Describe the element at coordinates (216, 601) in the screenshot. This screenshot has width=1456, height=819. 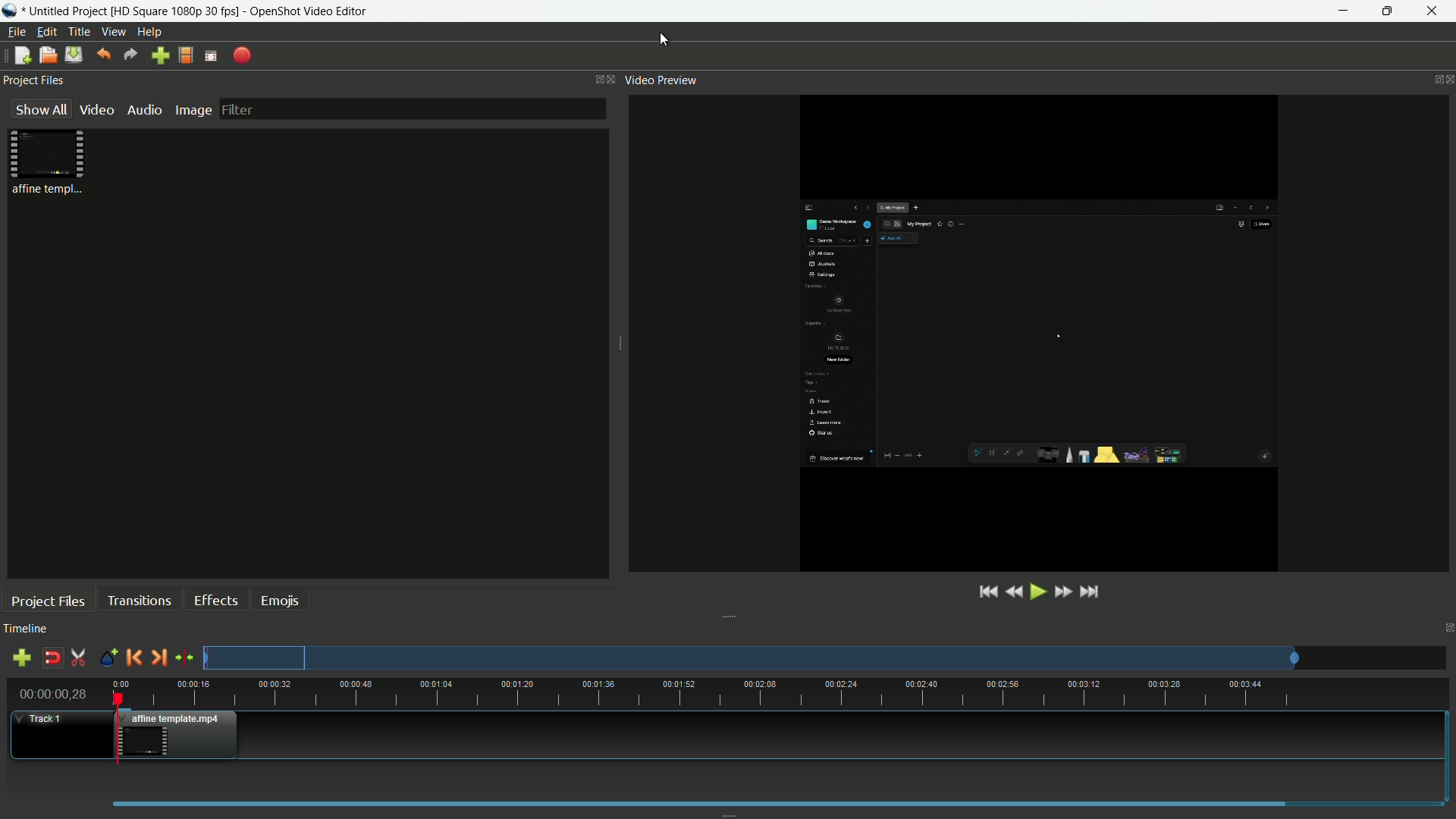
I see `effects` at that location.